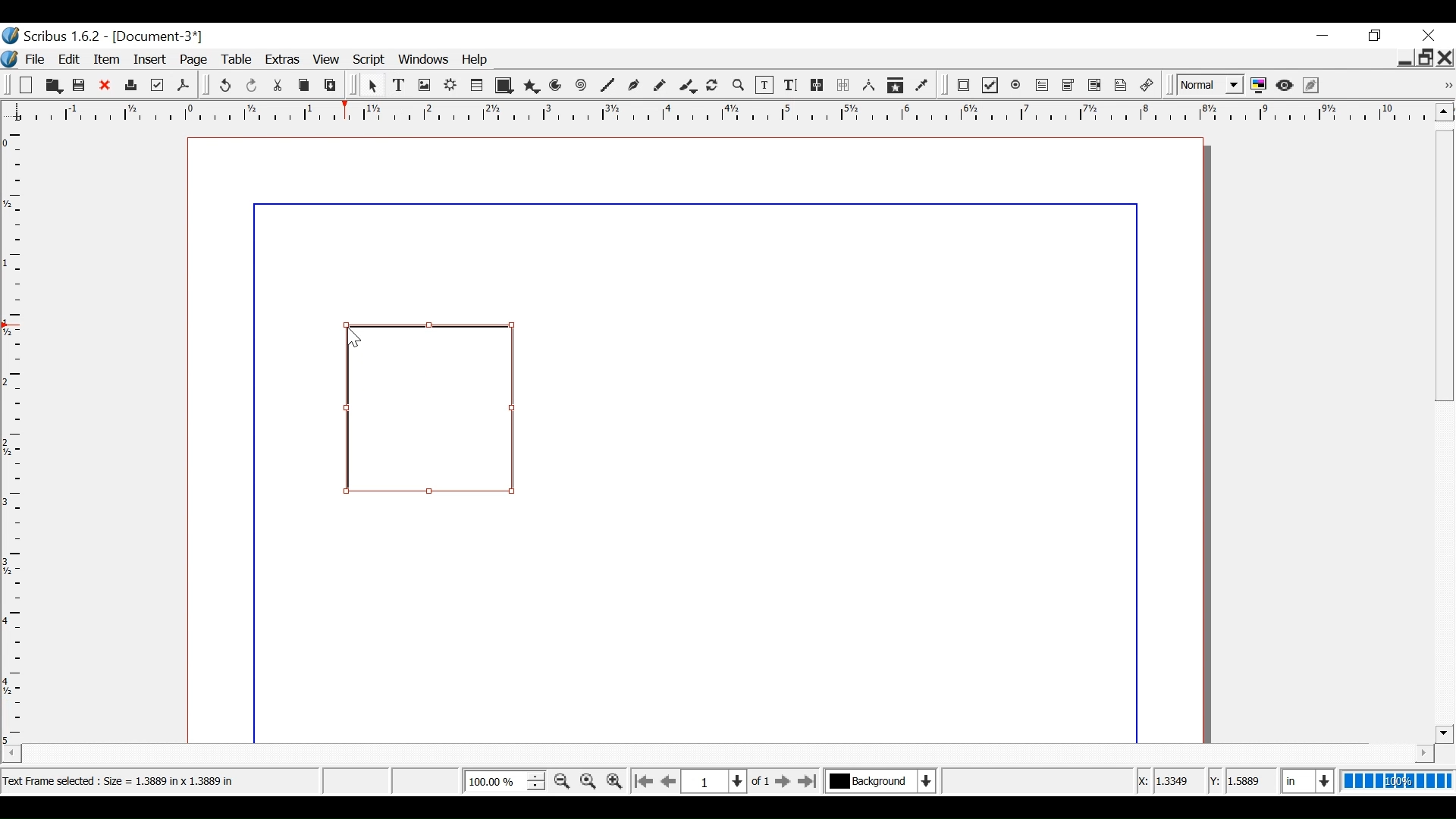  Describe the element at coordinates (923, 86) in the screenshot. I see `Eye dropper` at that location.